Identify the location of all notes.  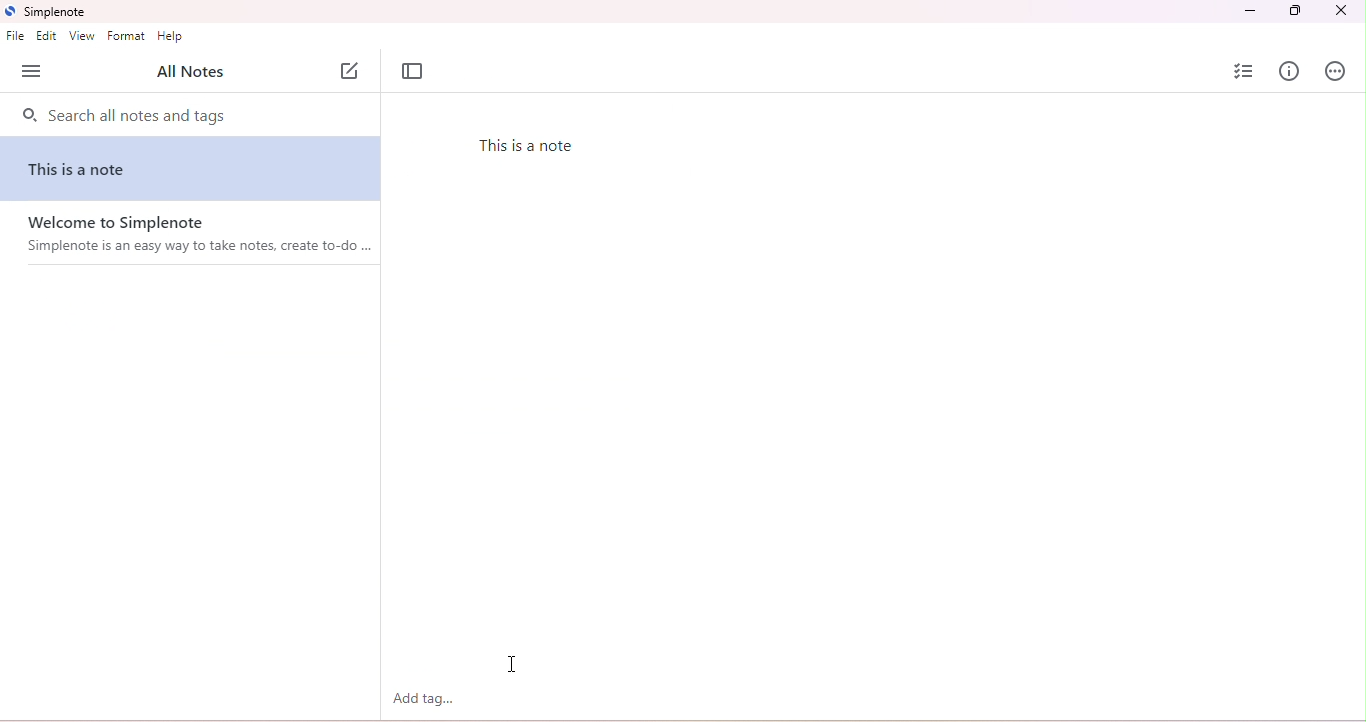
(188, 73).